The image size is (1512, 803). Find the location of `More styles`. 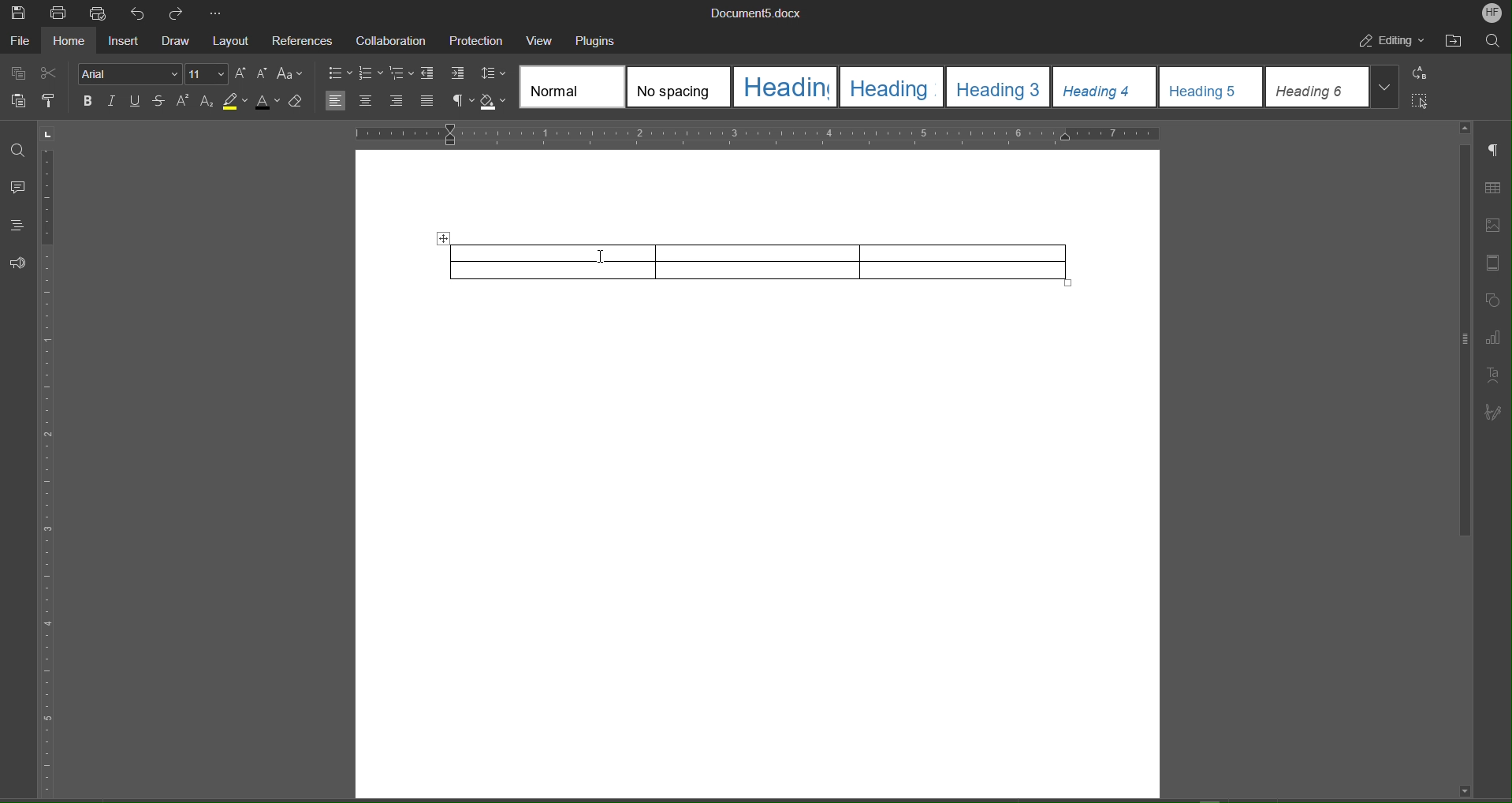

More styles is located at coordinates (1385, 85).